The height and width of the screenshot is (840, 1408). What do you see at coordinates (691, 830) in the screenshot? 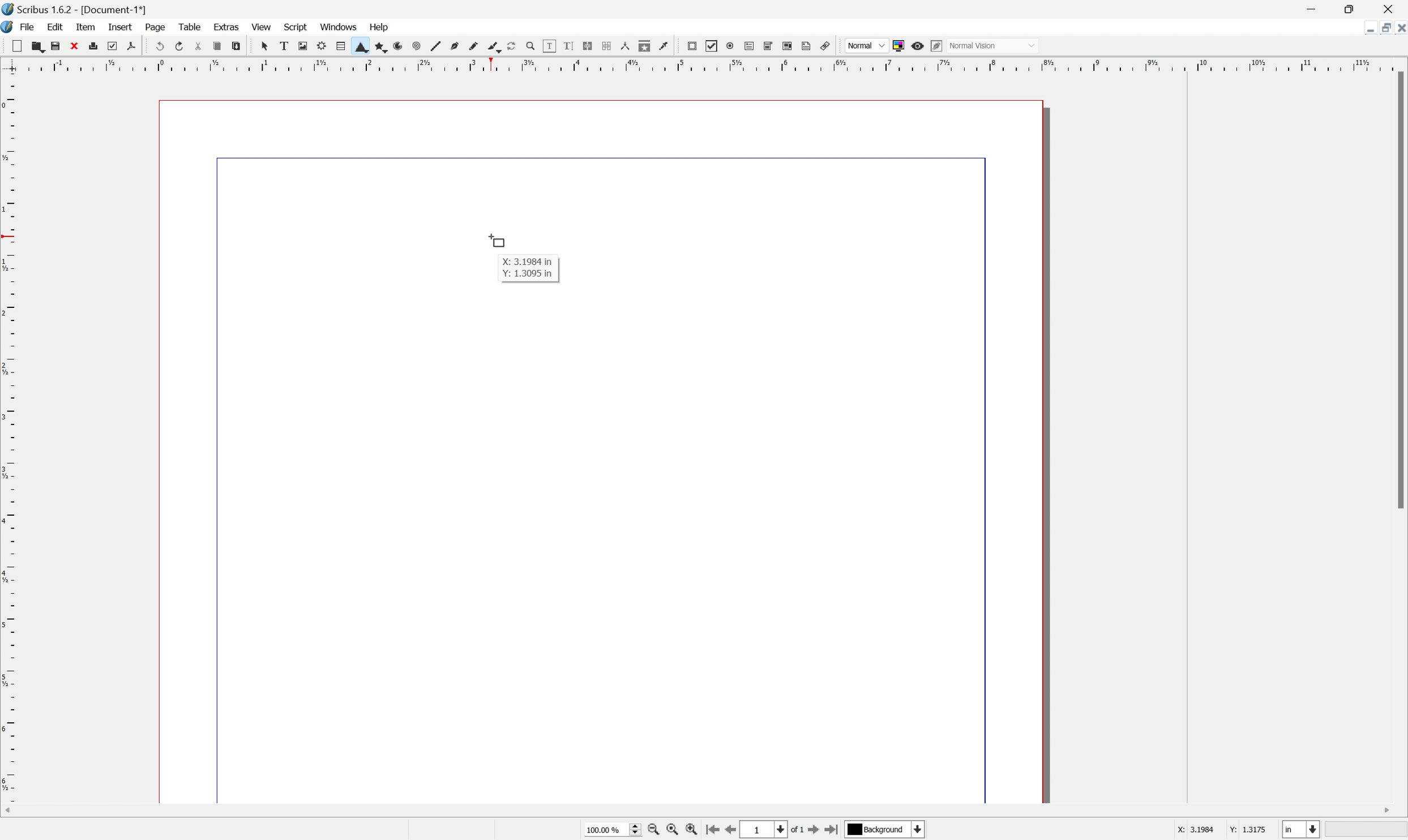
I see `Zoom in by stepping values in Tools preferences` at bounding box center [691, 830].